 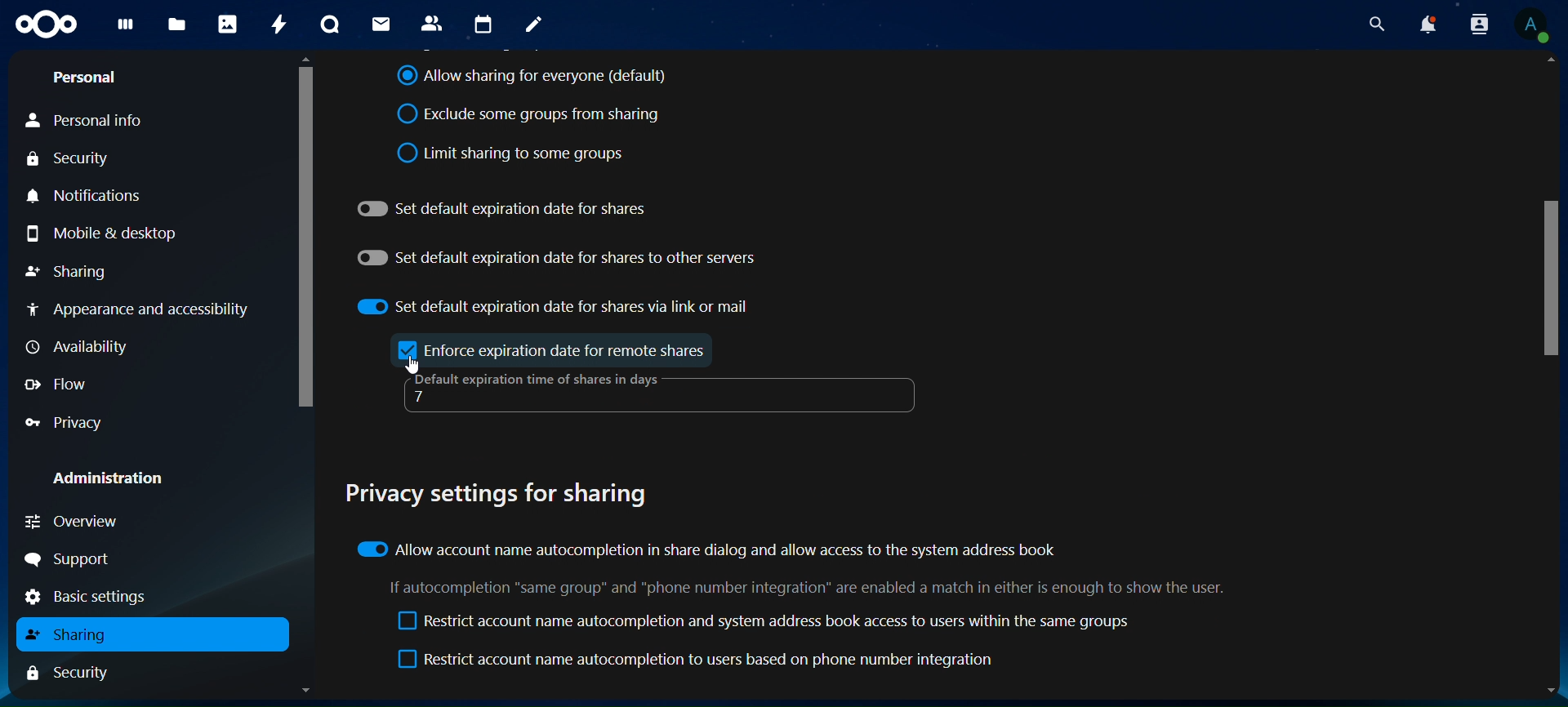 What do you see at coordinates (74, 634) in the screenshot?
I see `sharing` at bounding box center [74, 634].